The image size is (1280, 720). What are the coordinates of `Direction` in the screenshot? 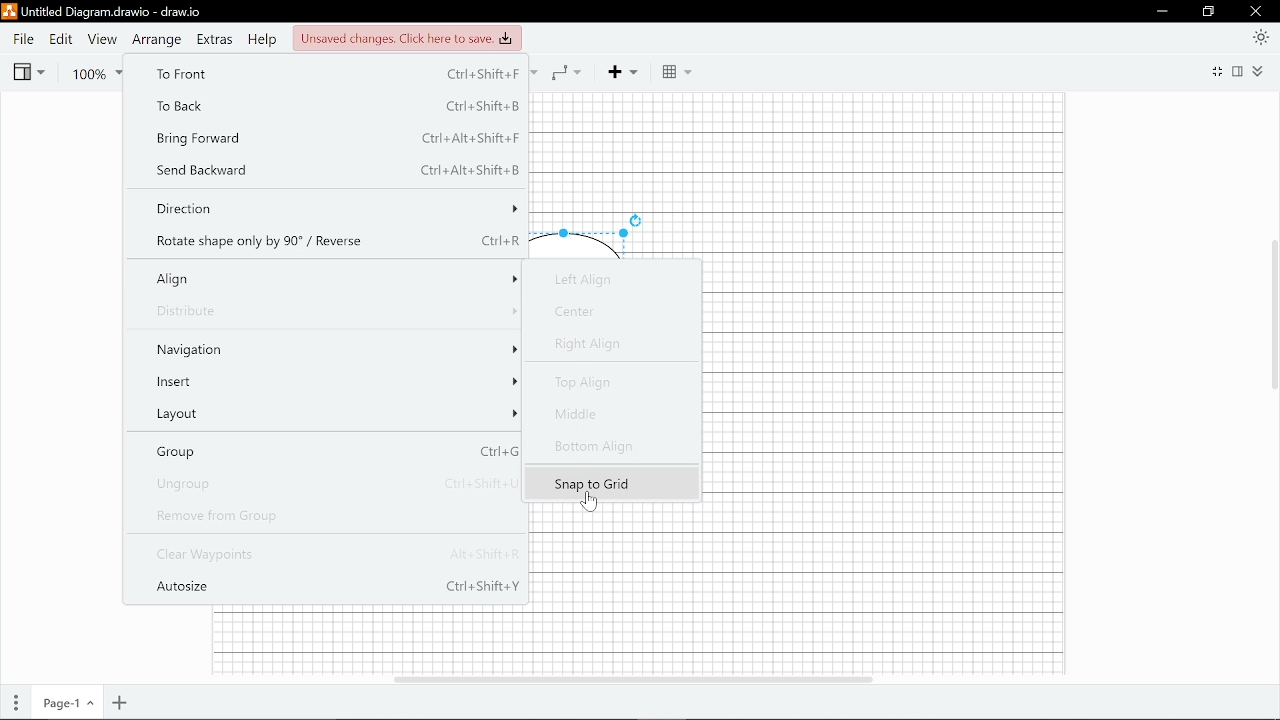 It's located at (334, 208).